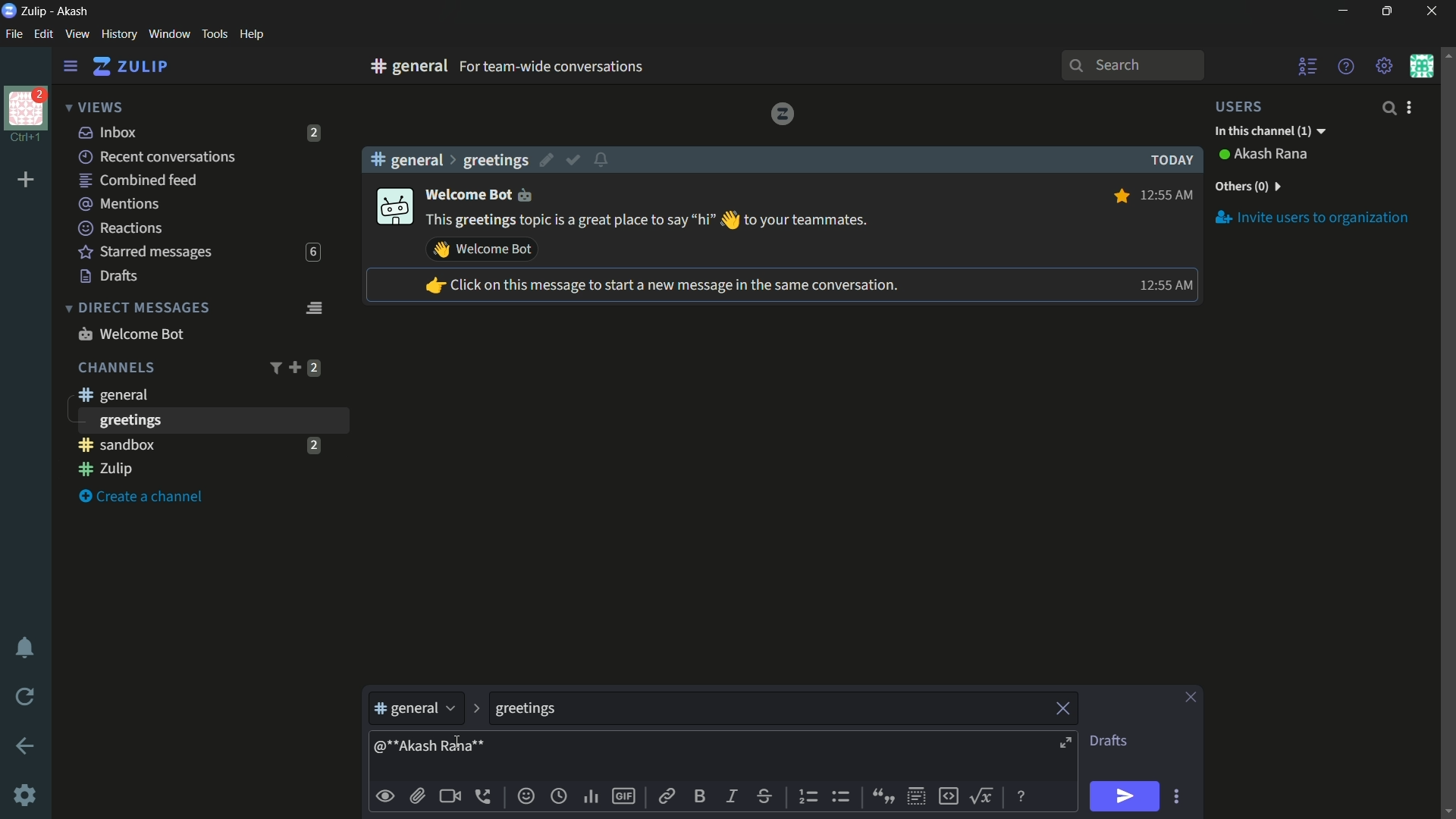 The image size is (1456, 819). I want to click on mentioned someone, so click(430, 749).